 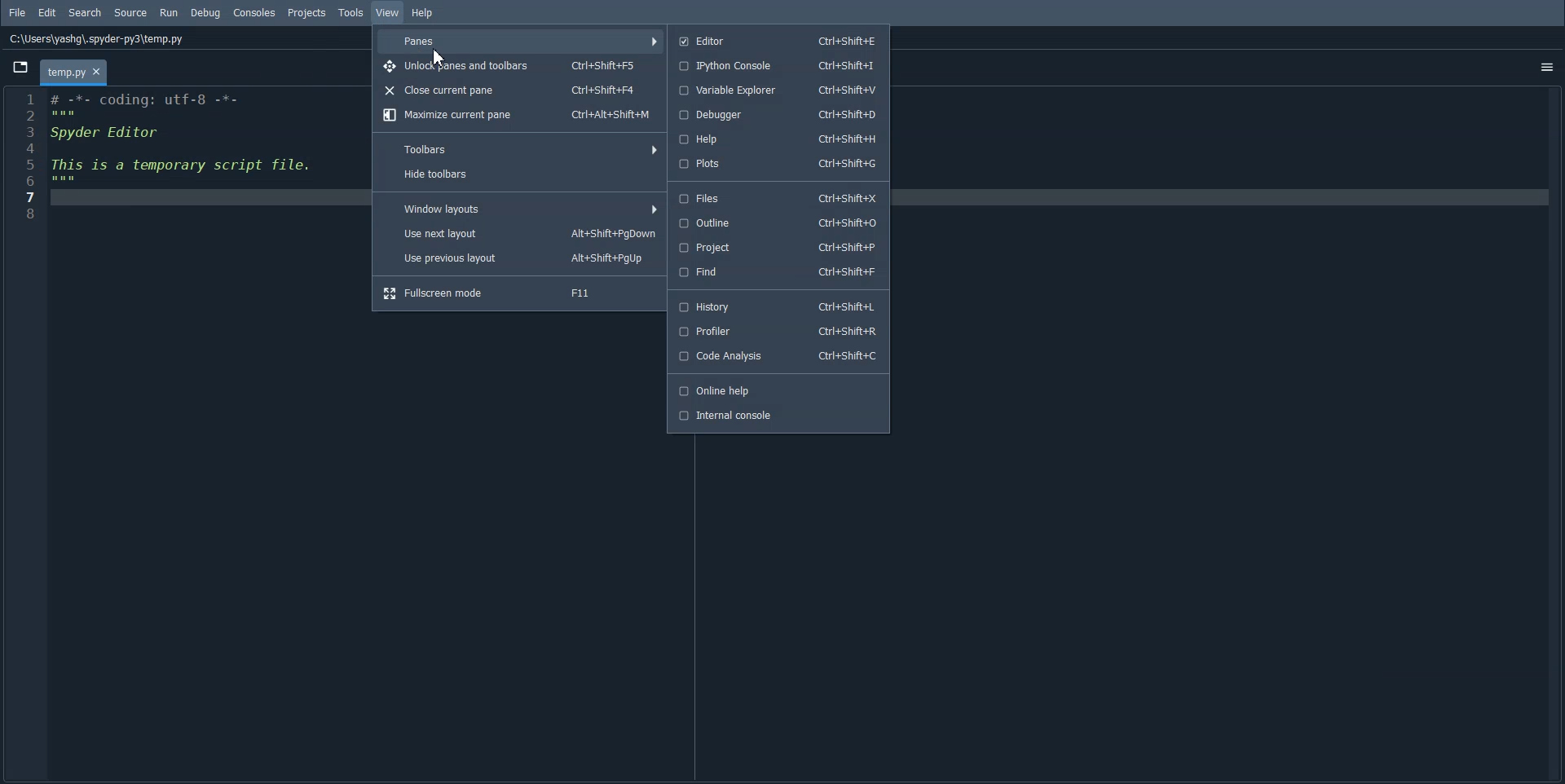 I want to click on current file tab, so click(x=76, y=71).